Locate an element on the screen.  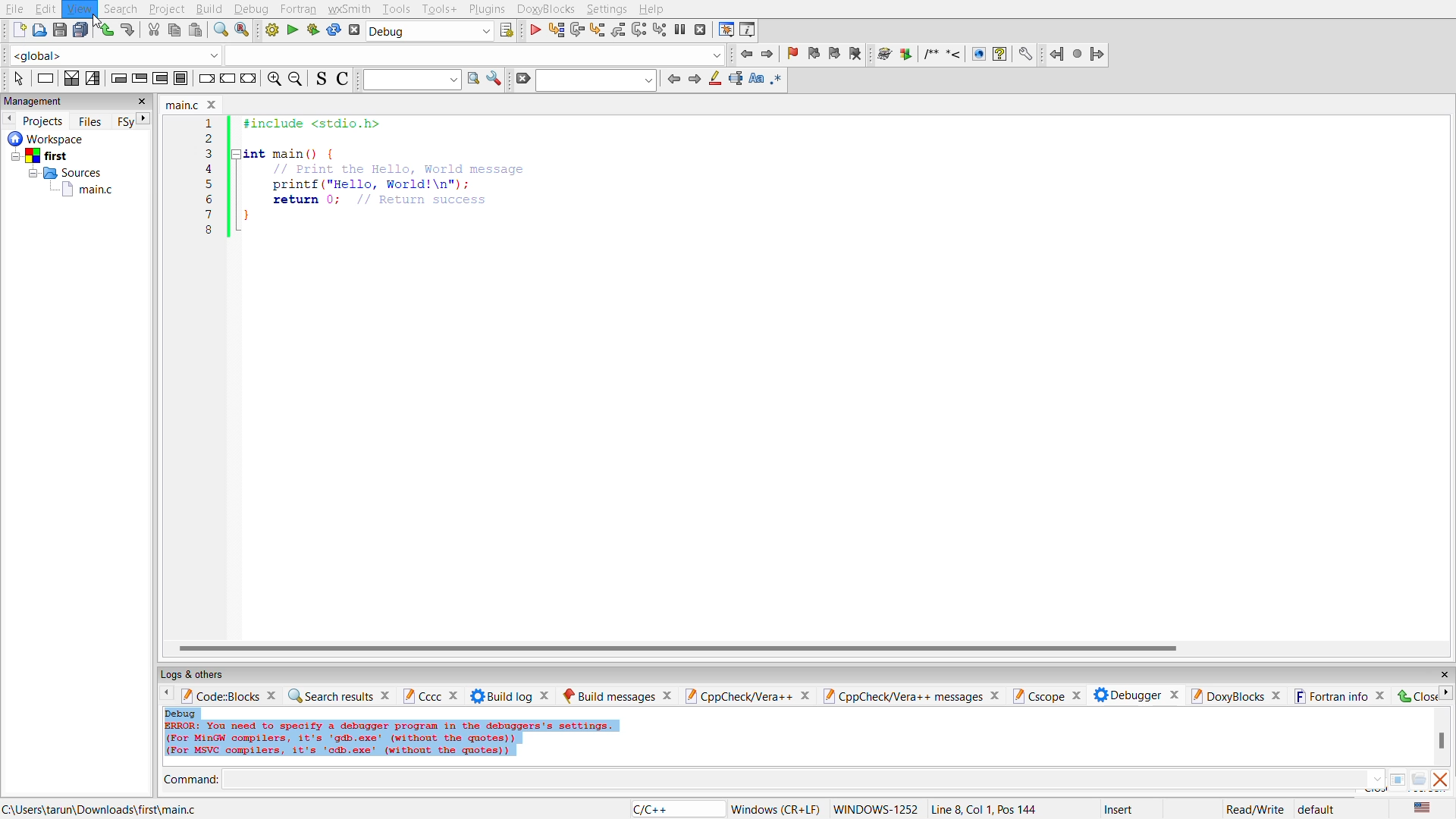
jump forward is located at coordinates (767, 54).